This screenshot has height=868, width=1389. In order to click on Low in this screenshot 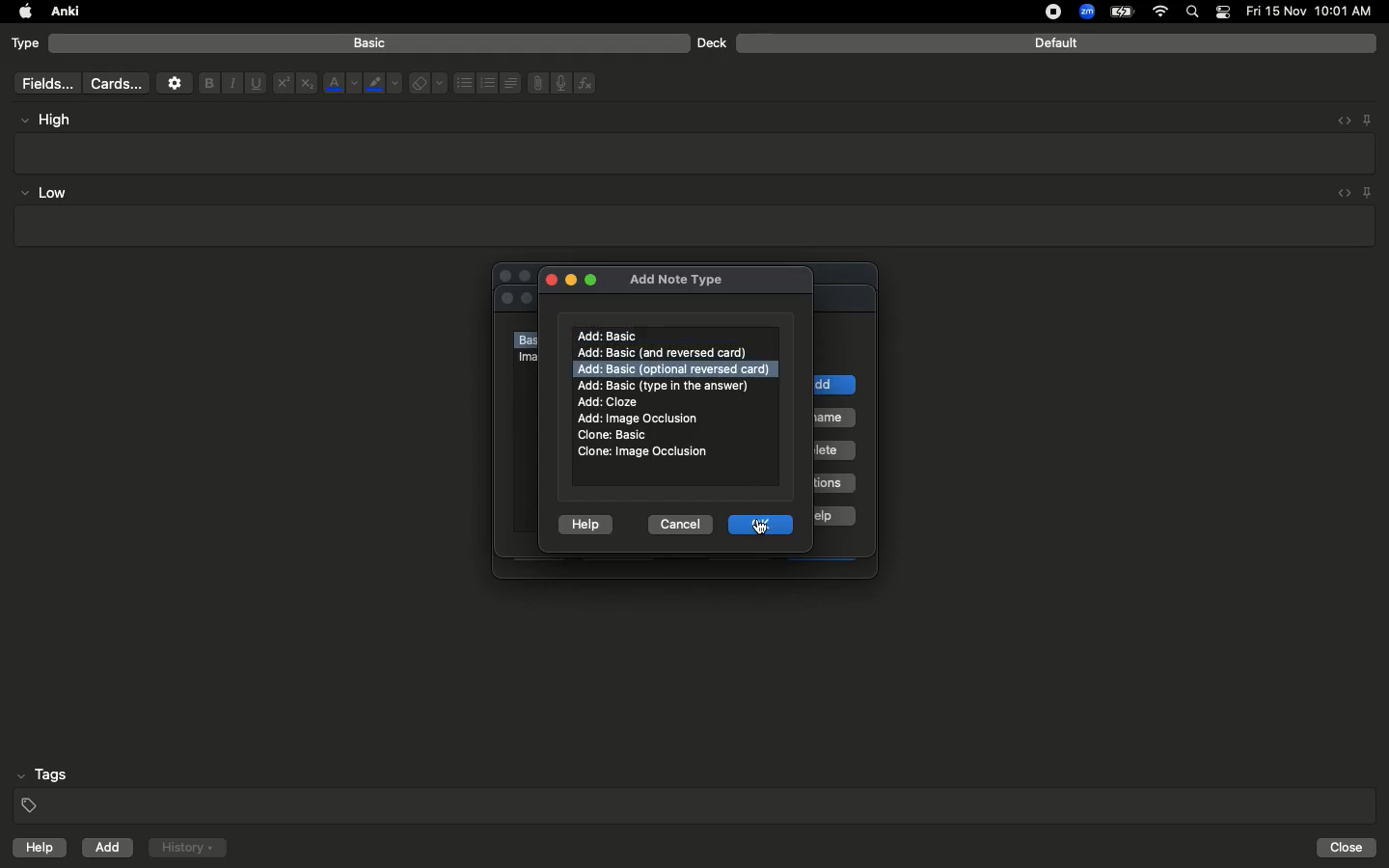, I will do `click(44, 194)`.